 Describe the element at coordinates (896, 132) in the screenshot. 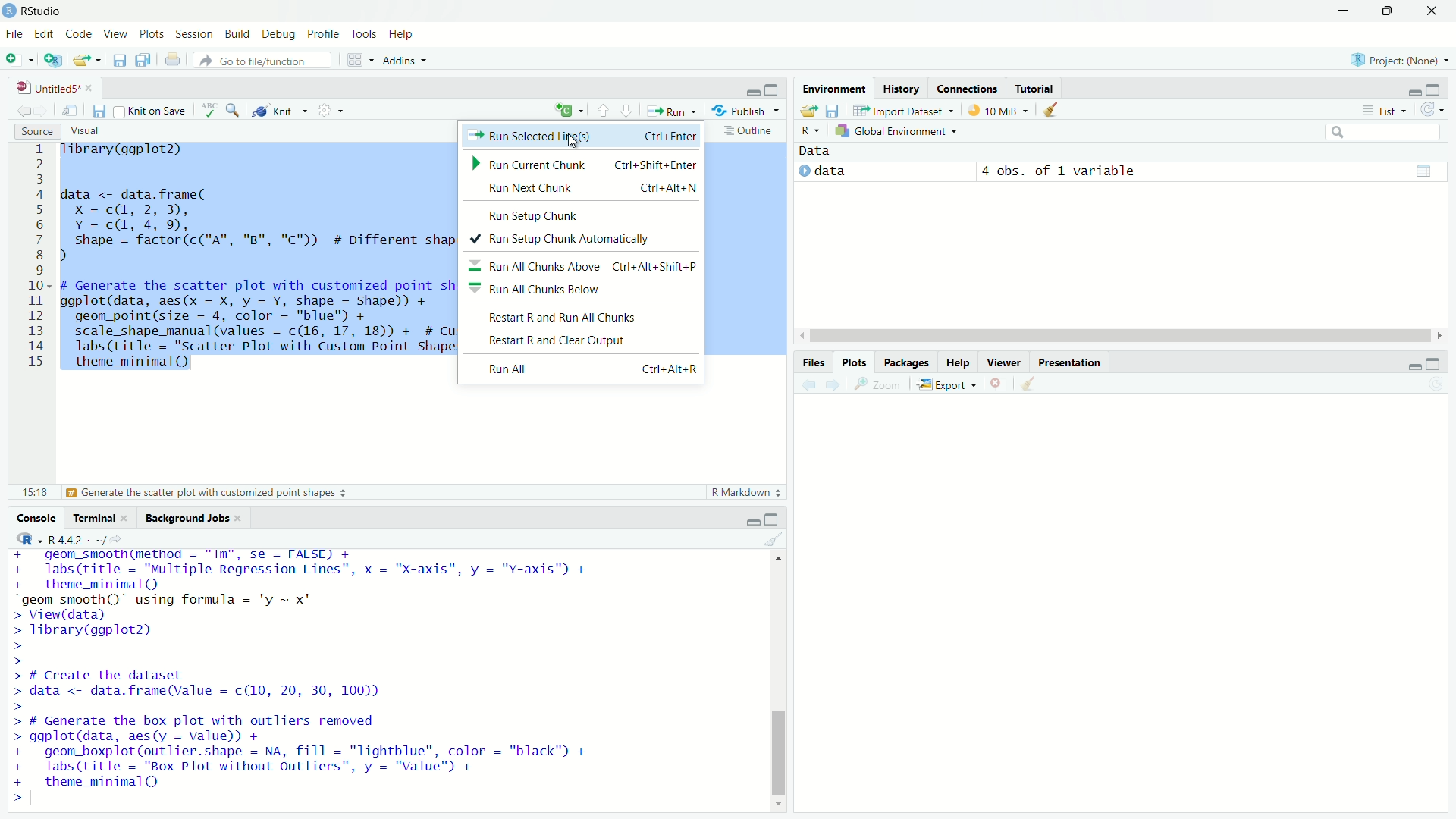

I see `Global Environment` at that location.